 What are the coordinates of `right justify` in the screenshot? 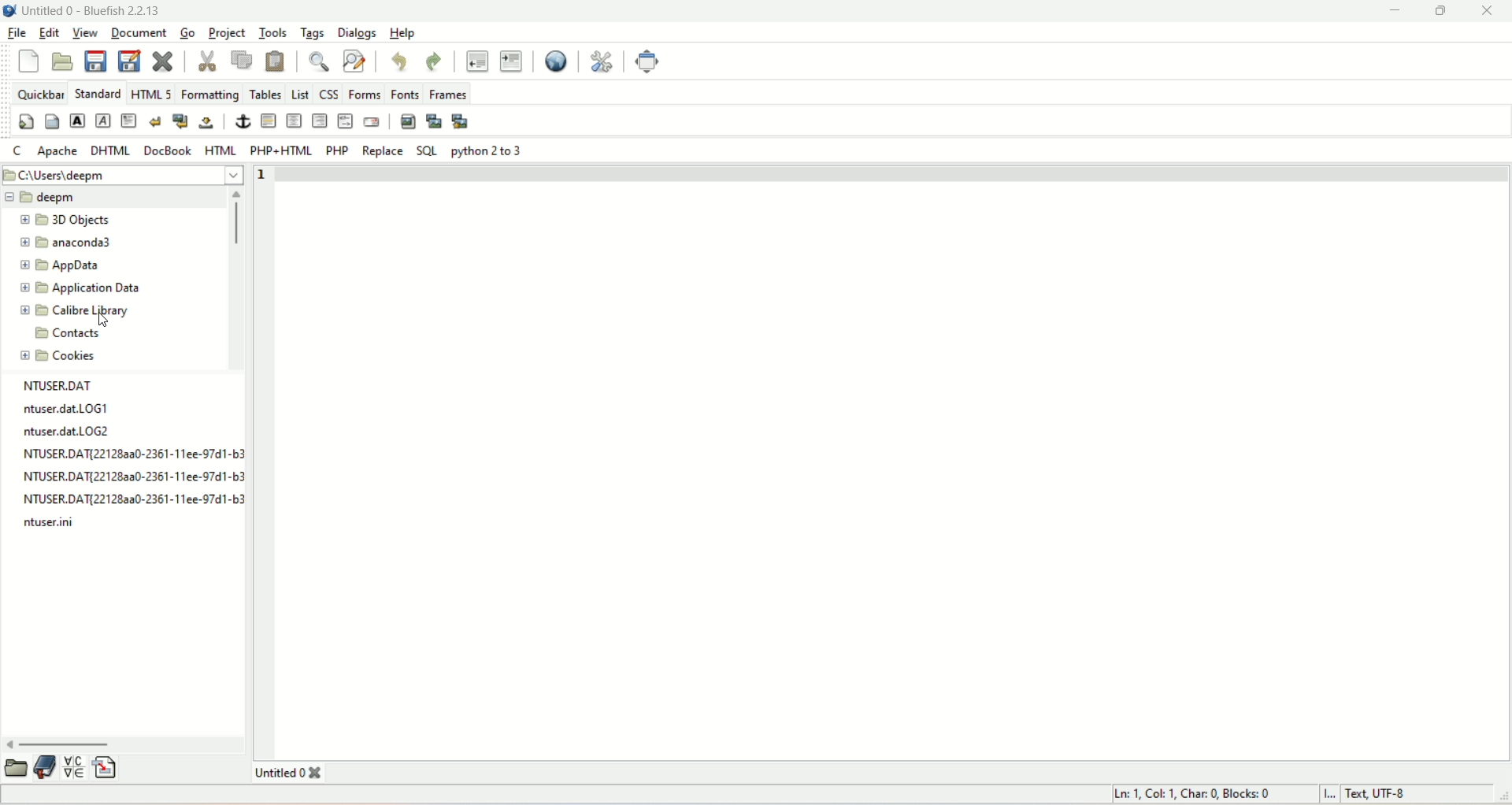 It's located at (319, 120).